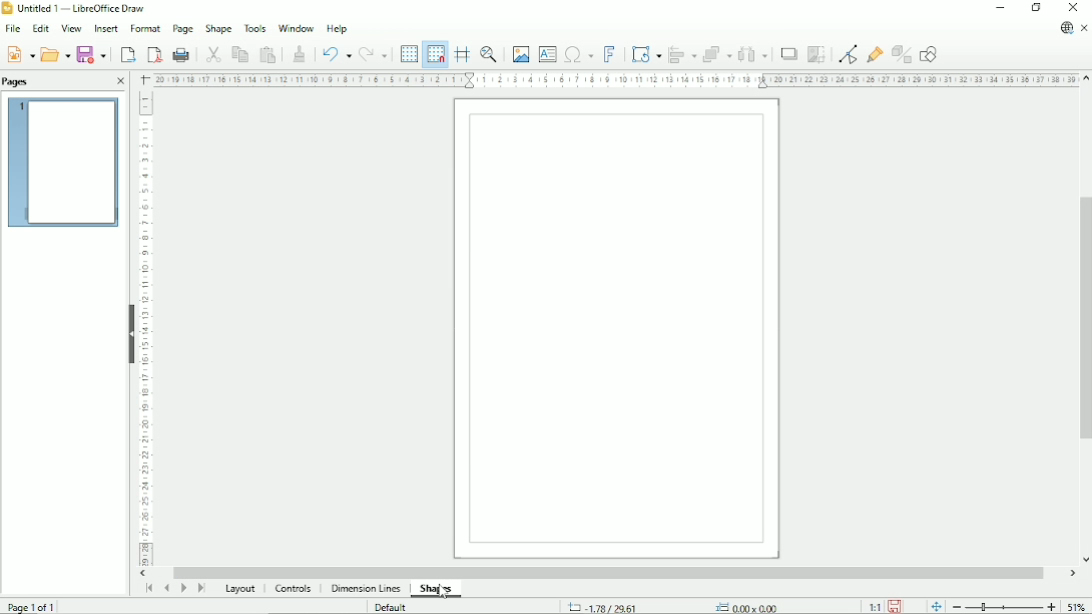  What do you see at coordinates (392, 606) in the screenshot?
I see `Default` at bounding box center [392, 606].